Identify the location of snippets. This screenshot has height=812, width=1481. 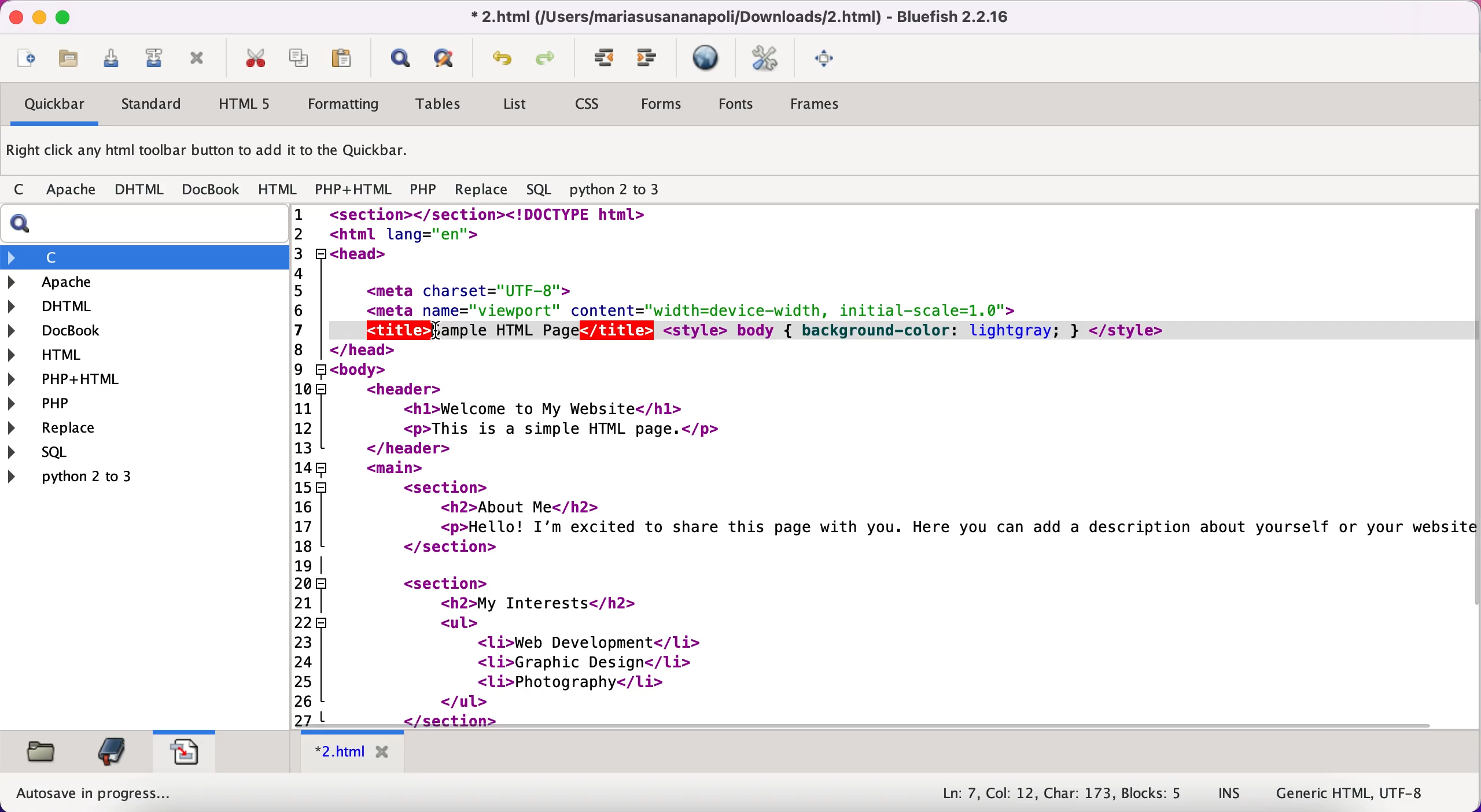
(184, 749).